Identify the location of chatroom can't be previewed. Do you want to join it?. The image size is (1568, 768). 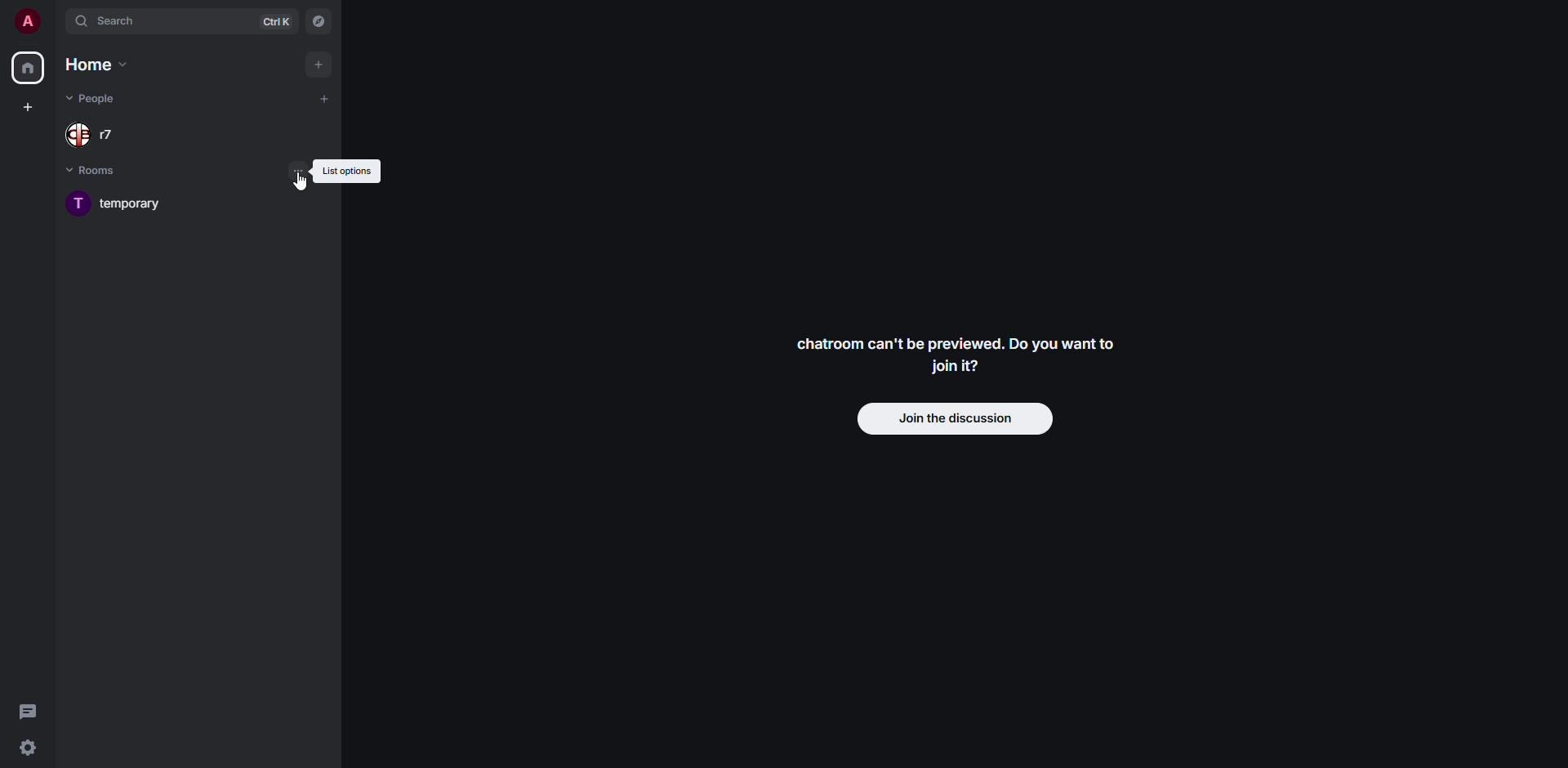
(955, 356).